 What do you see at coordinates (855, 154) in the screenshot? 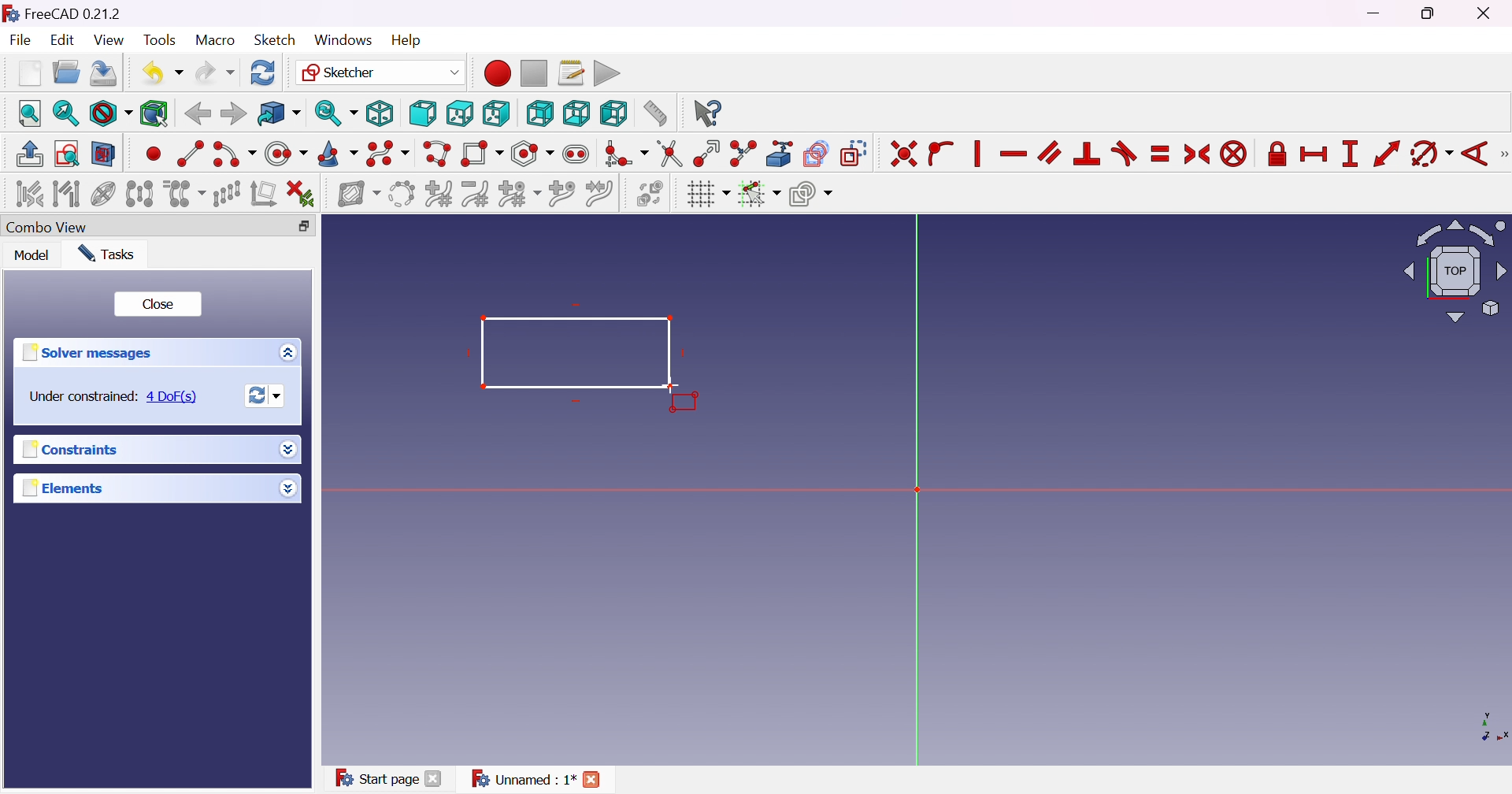
I see `Toggle construction geometry` at bounding box center [855, 154].